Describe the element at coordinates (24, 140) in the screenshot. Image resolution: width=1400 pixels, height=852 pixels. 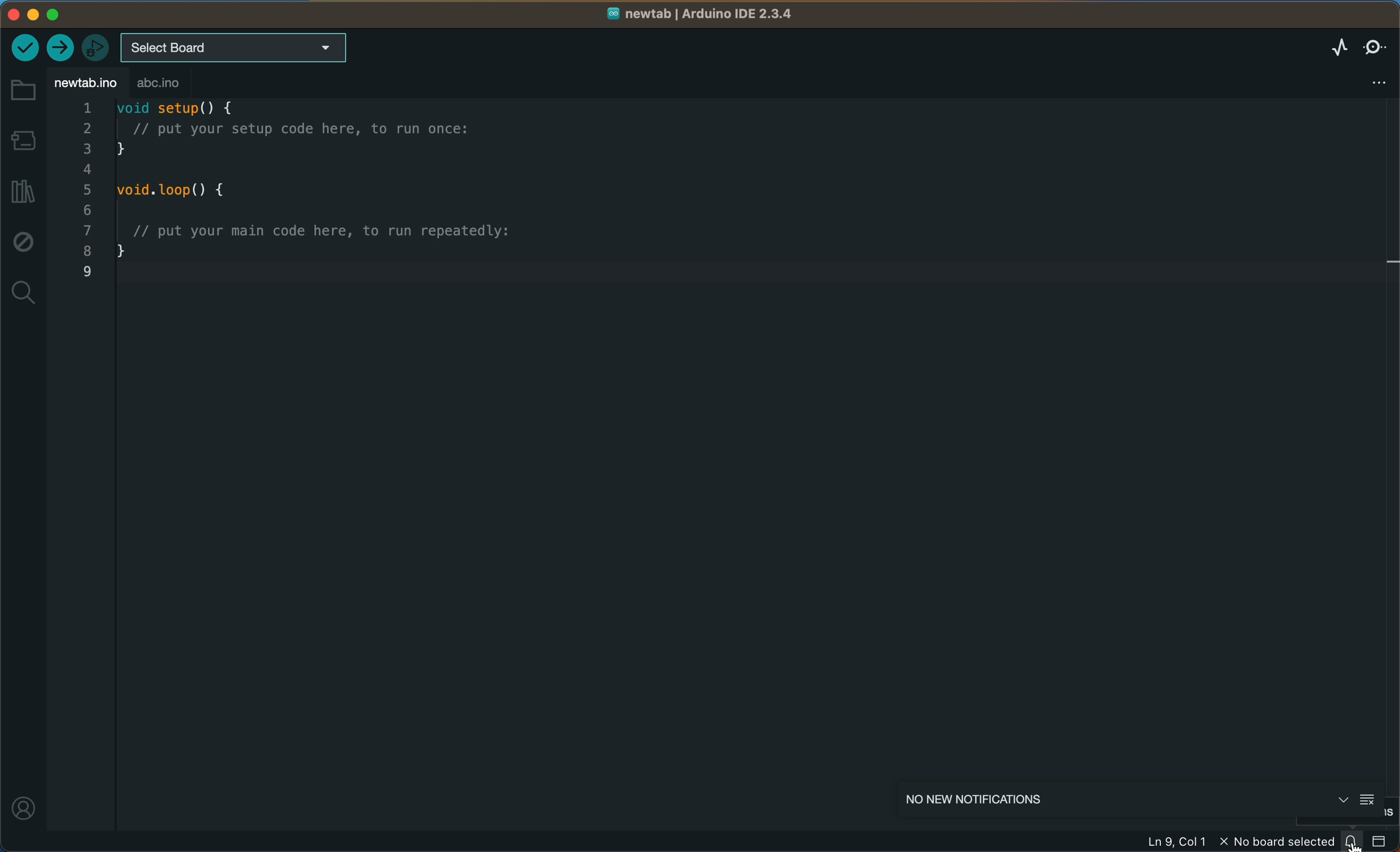
I see `board manager` at that location.